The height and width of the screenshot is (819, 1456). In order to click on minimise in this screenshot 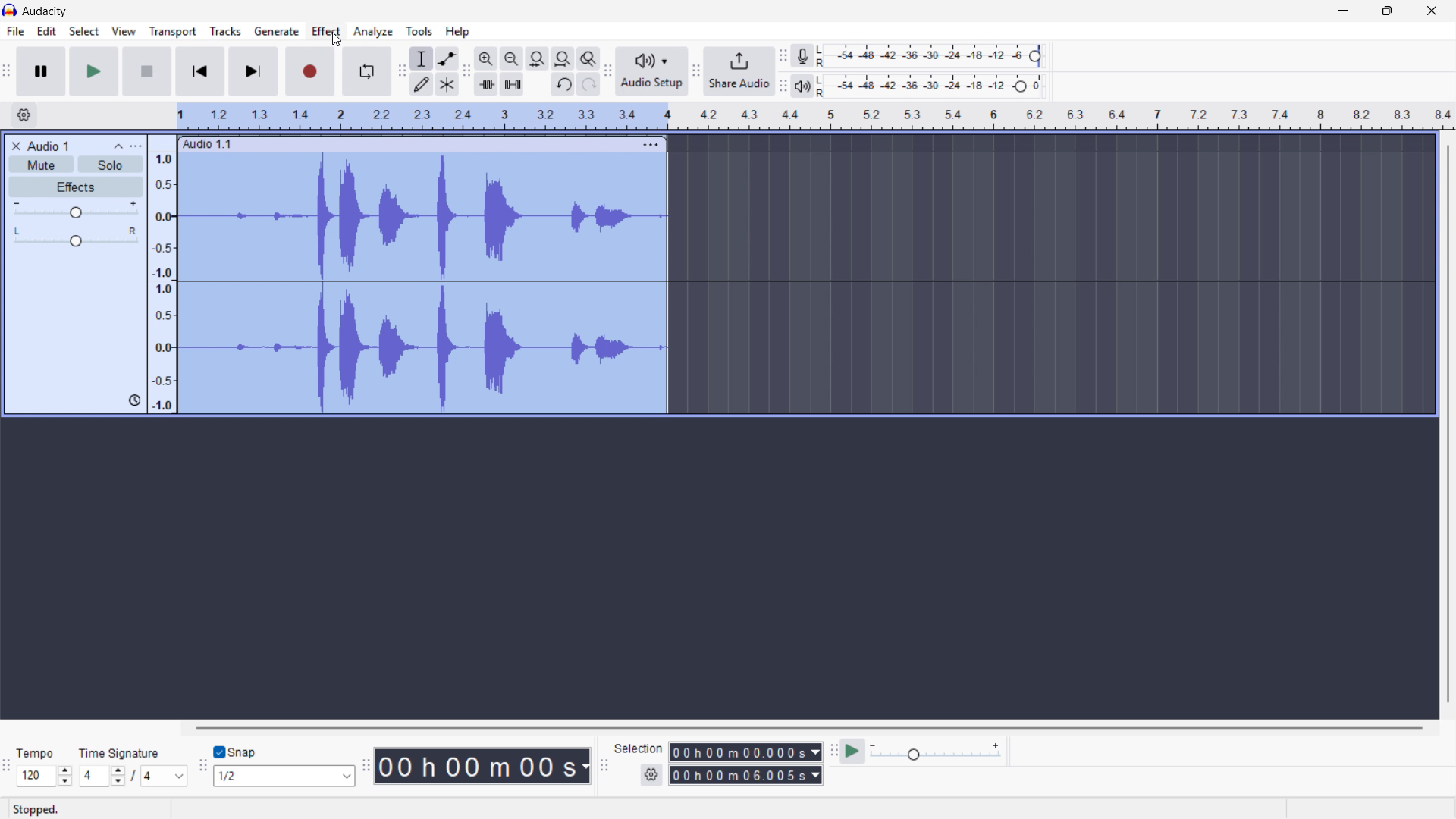, I will do `click(1341, 11)`.